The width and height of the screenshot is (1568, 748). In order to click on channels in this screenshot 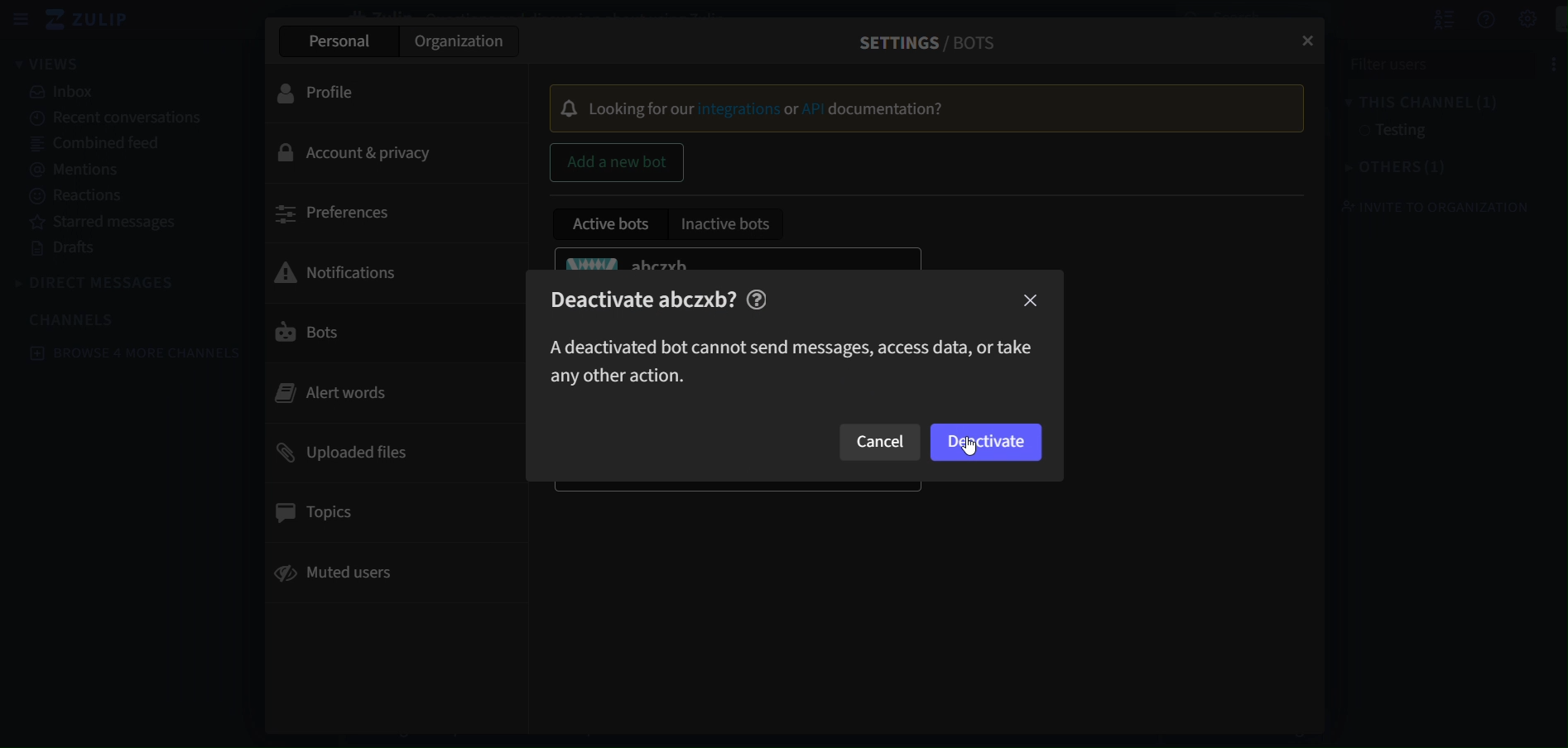, I will do `click(73, 319)`.